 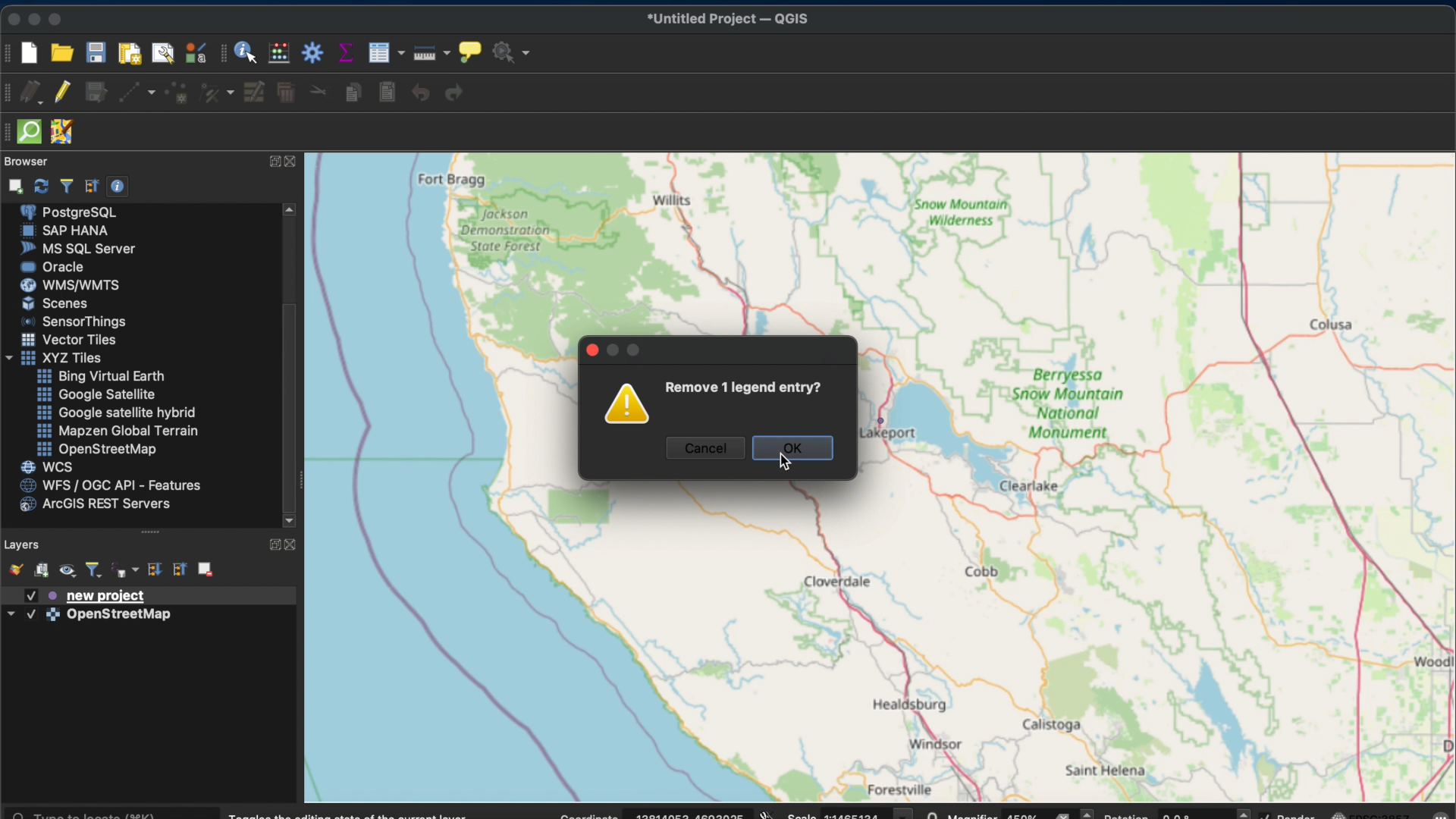 What do you see at coordinates (795, 450) in the screenshot?
I see `ok button` at bounding box center [795, 450].